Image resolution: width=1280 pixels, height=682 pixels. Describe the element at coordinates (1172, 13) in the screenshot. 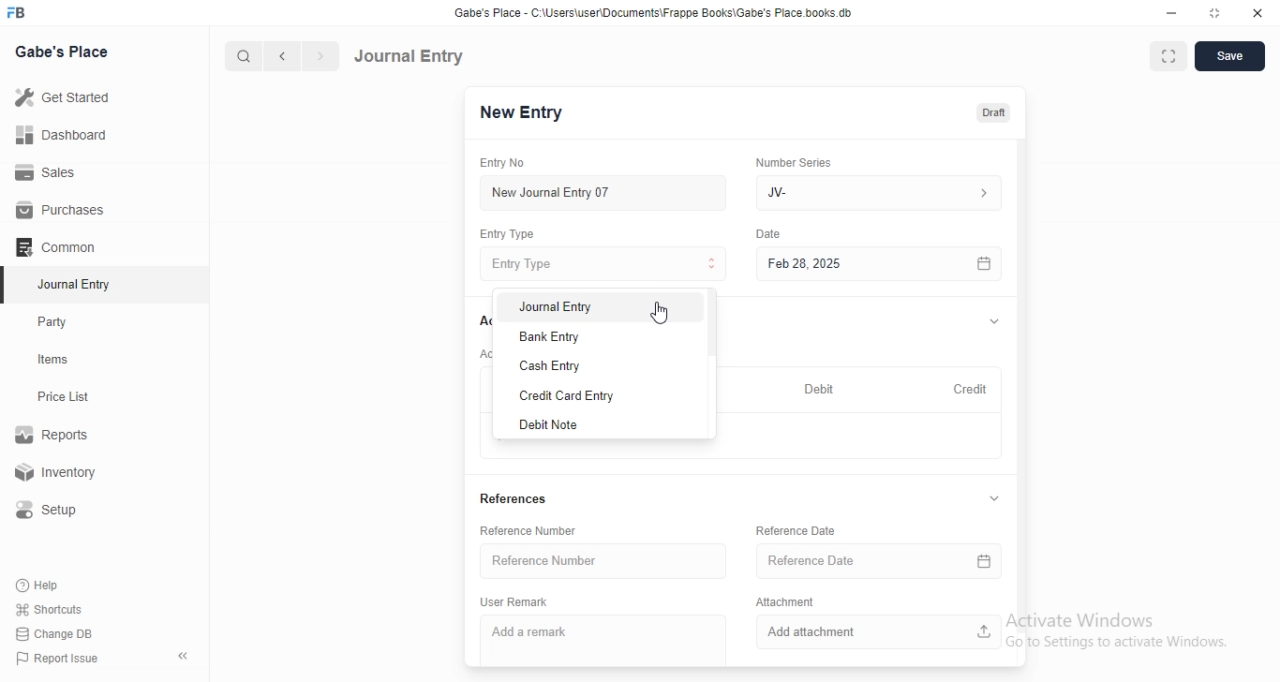

I see `minimize` at that location.